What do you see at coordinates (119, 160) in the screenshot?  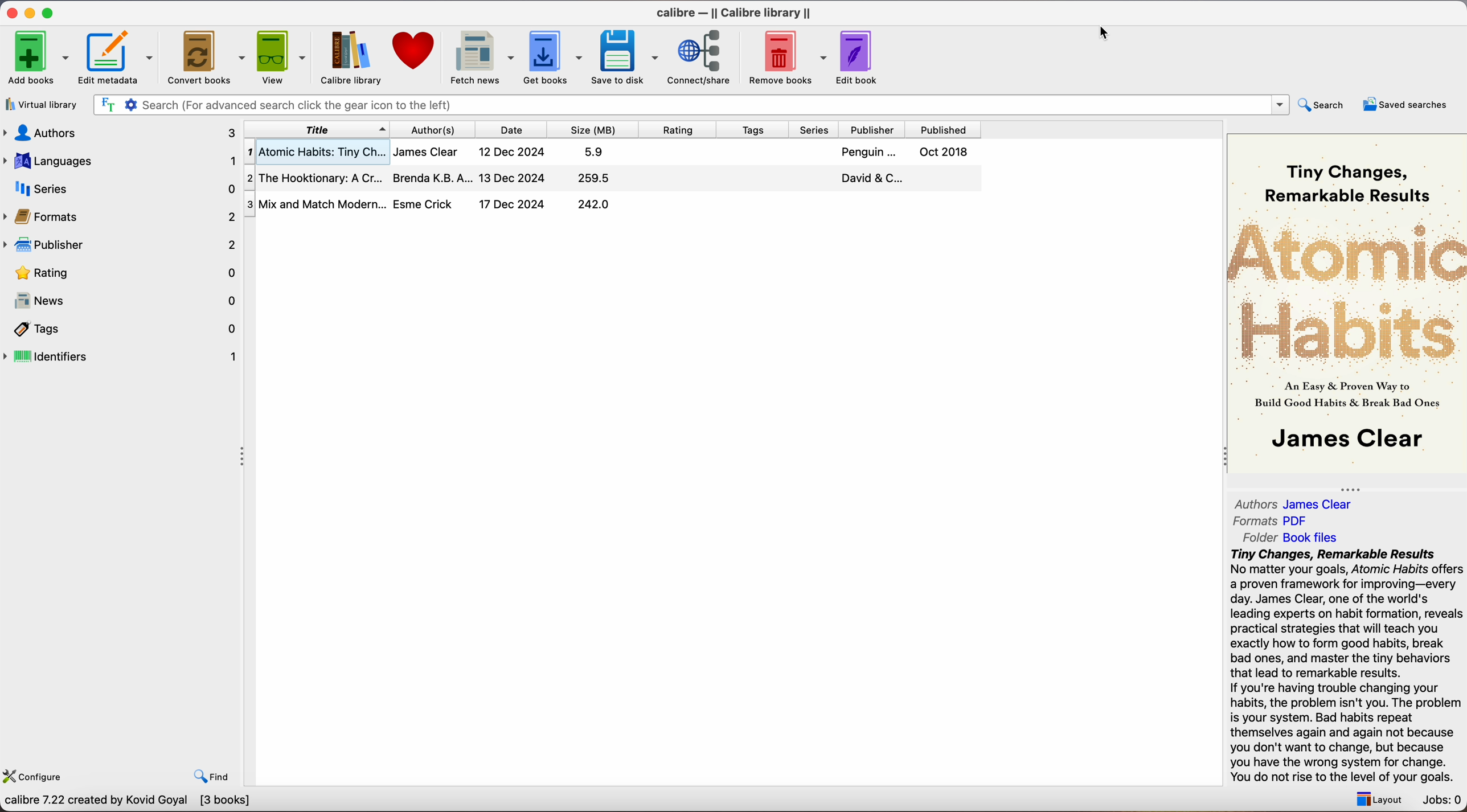 I see `languages` at bounding box center [119, 160].